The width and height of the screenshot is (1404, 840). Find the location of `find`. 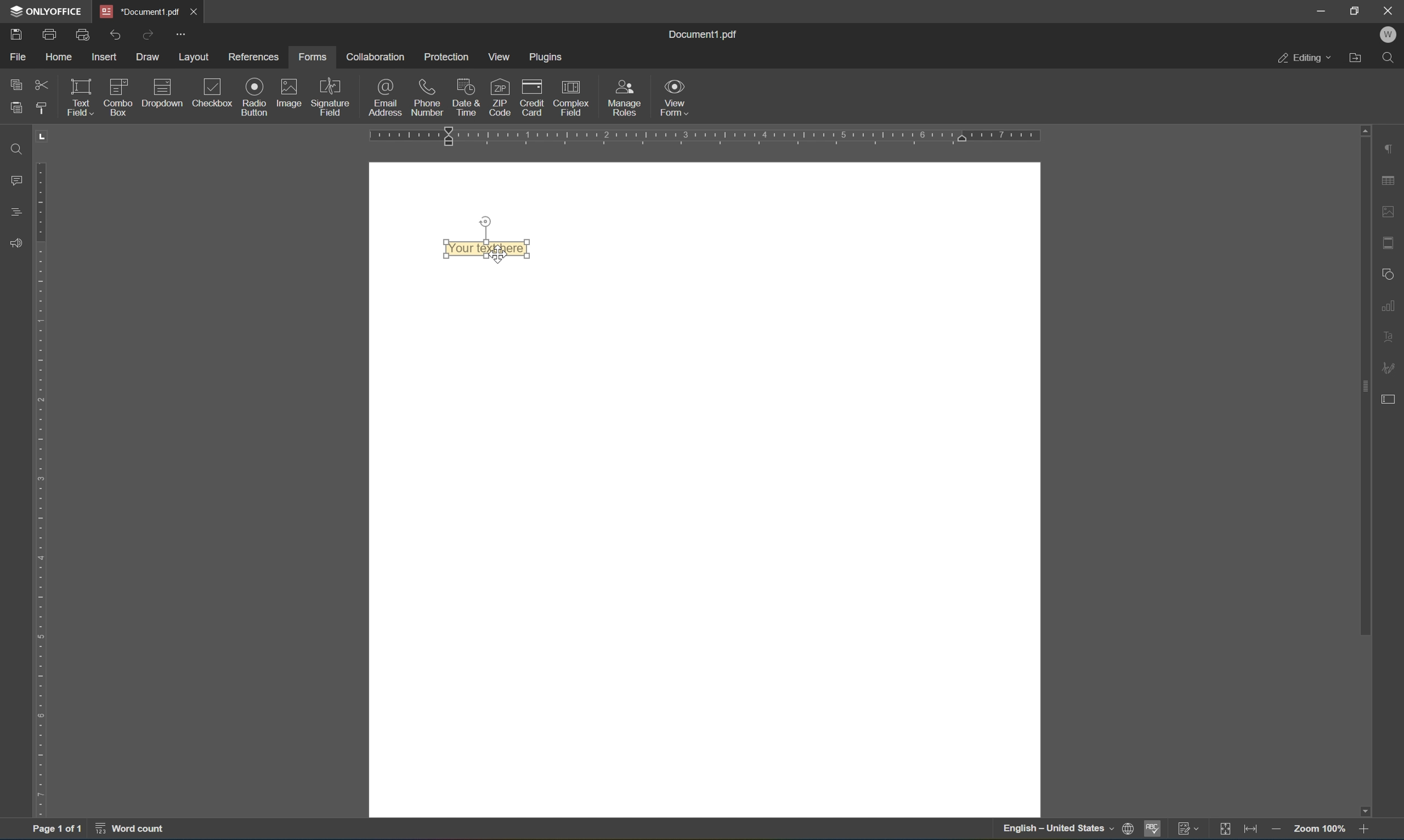

find is located at coordinates (1390, 58).